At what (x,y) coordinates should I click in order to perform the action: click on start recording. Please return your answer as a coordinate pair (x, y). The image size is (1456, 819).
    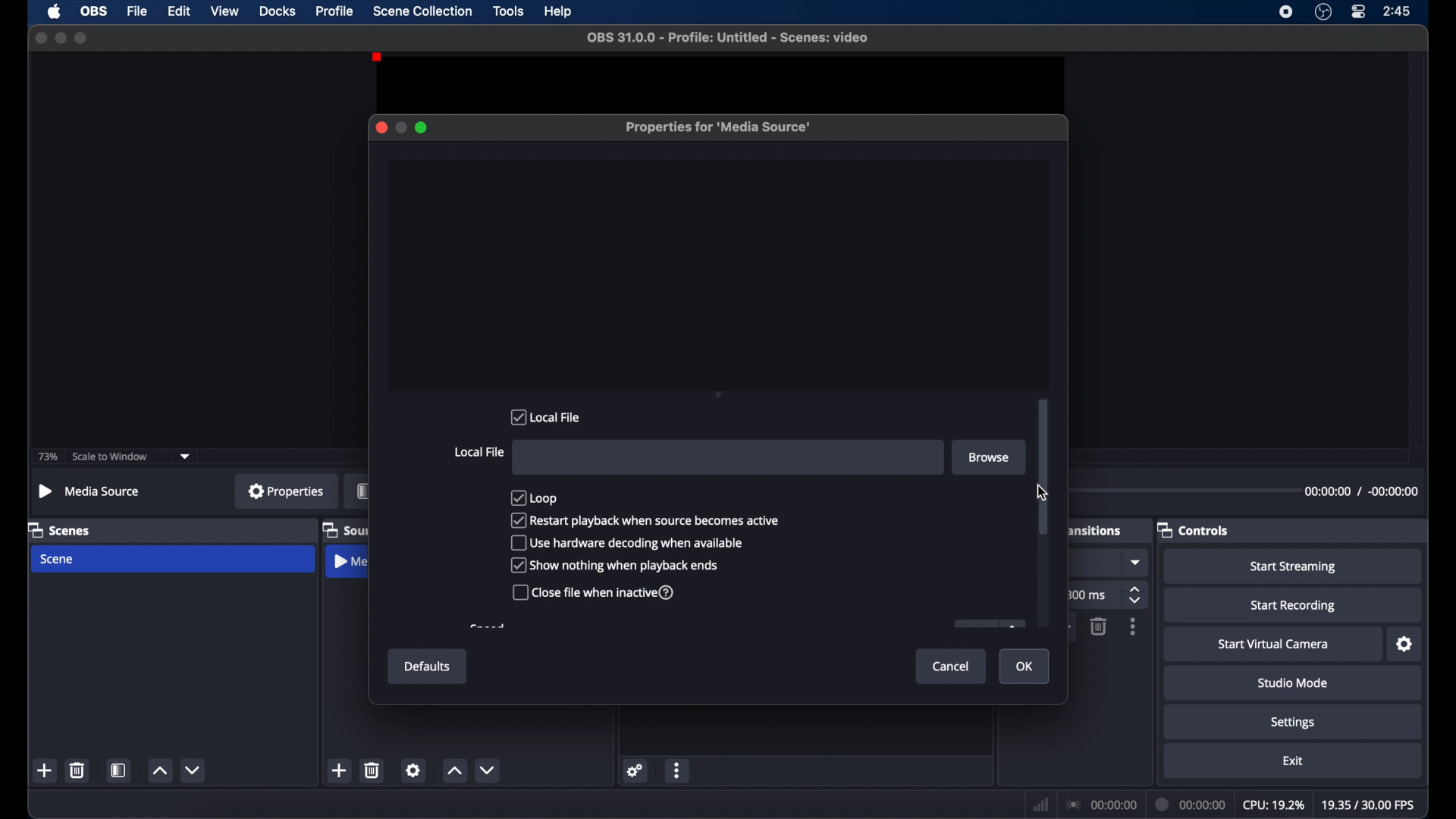
    Looking at the image, I should click on (1294, 606).